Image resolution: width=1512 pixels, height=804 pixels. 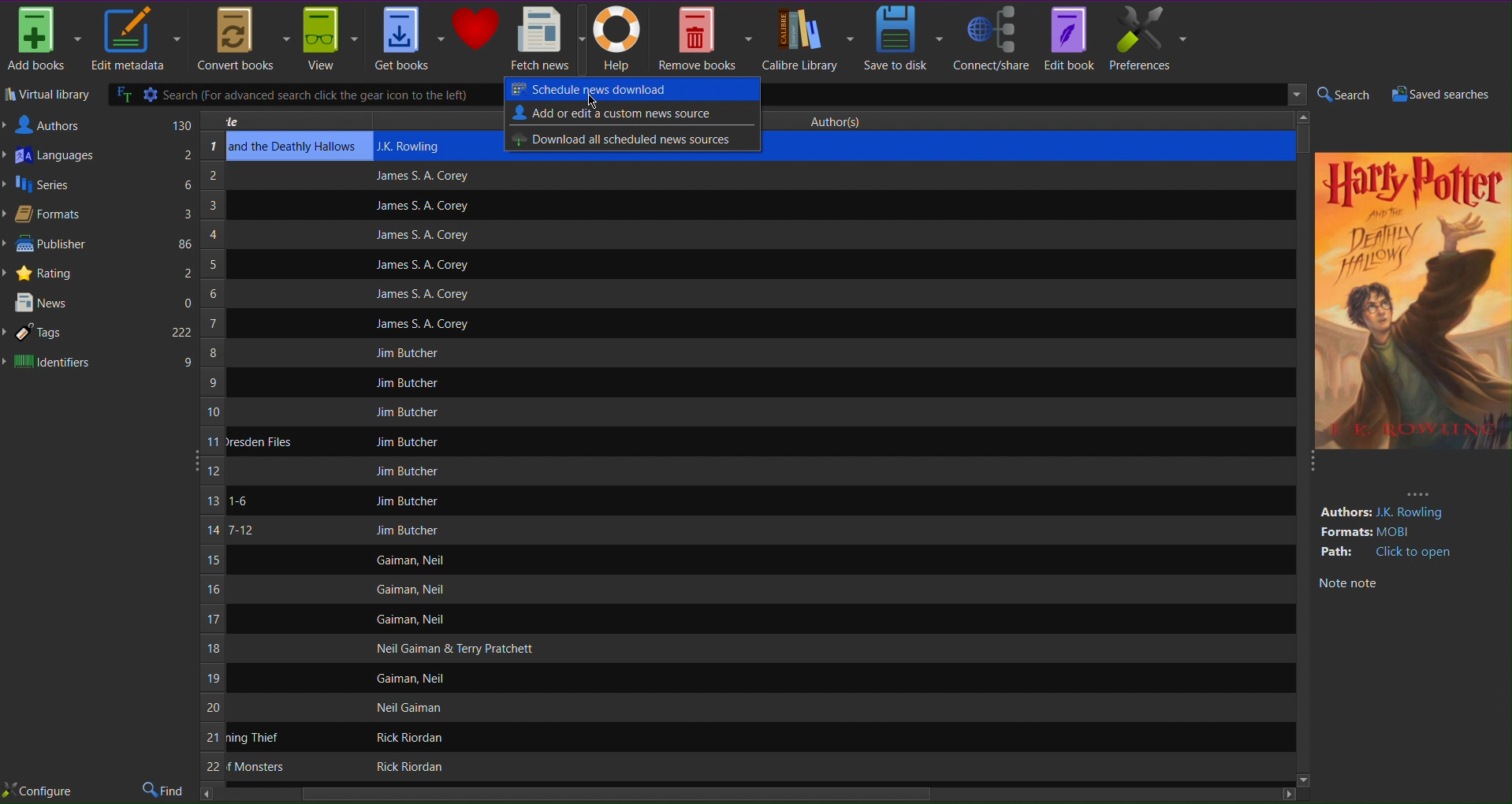 What do you see at coordinates (407, 471) in the screenshot?
I see `Jim Butcher` at bounding box center [407, 471].